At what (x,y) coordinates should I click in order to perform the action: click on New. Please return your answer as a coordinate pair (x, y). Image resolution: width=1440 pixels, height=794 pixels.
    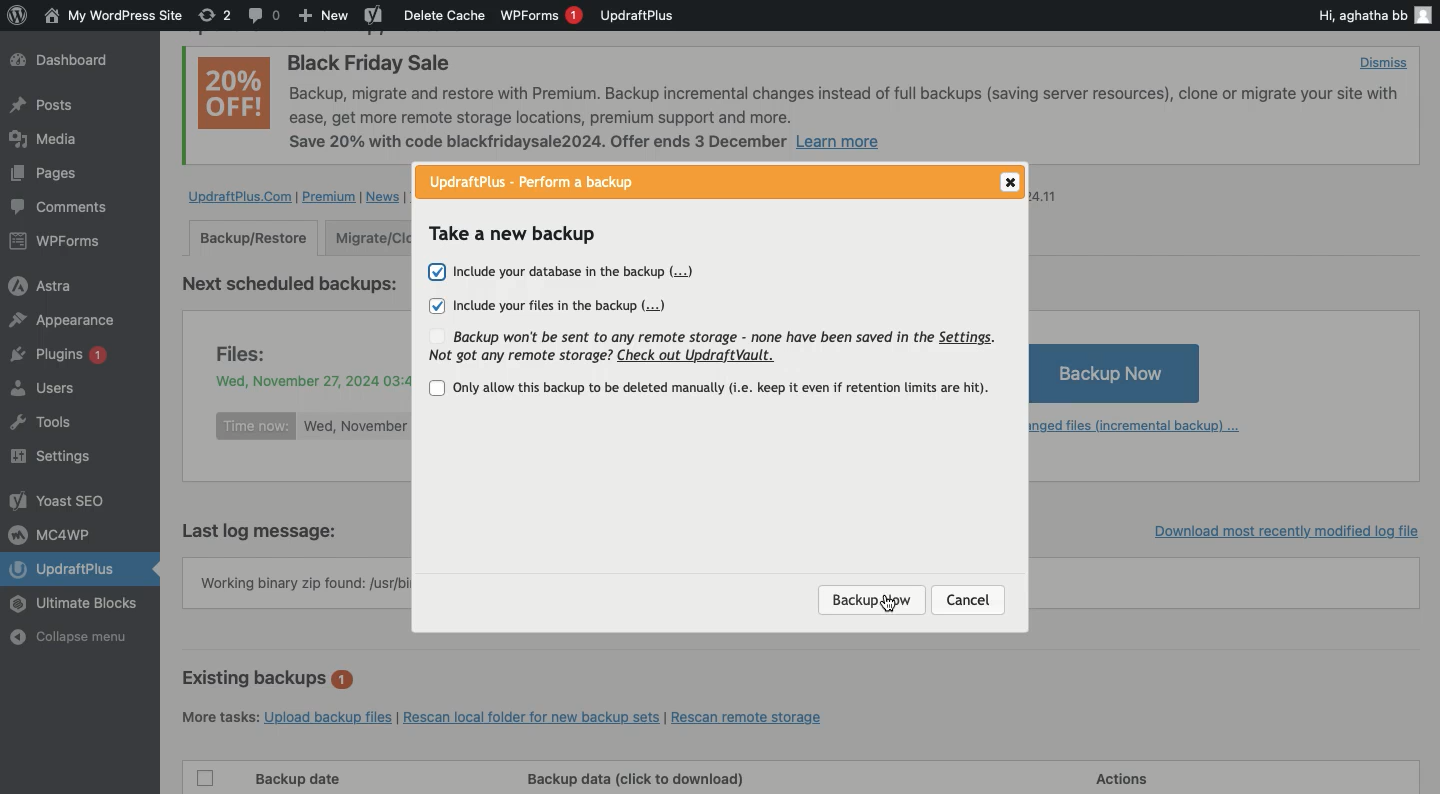
    Looking at the image, I should click on (324, 17).